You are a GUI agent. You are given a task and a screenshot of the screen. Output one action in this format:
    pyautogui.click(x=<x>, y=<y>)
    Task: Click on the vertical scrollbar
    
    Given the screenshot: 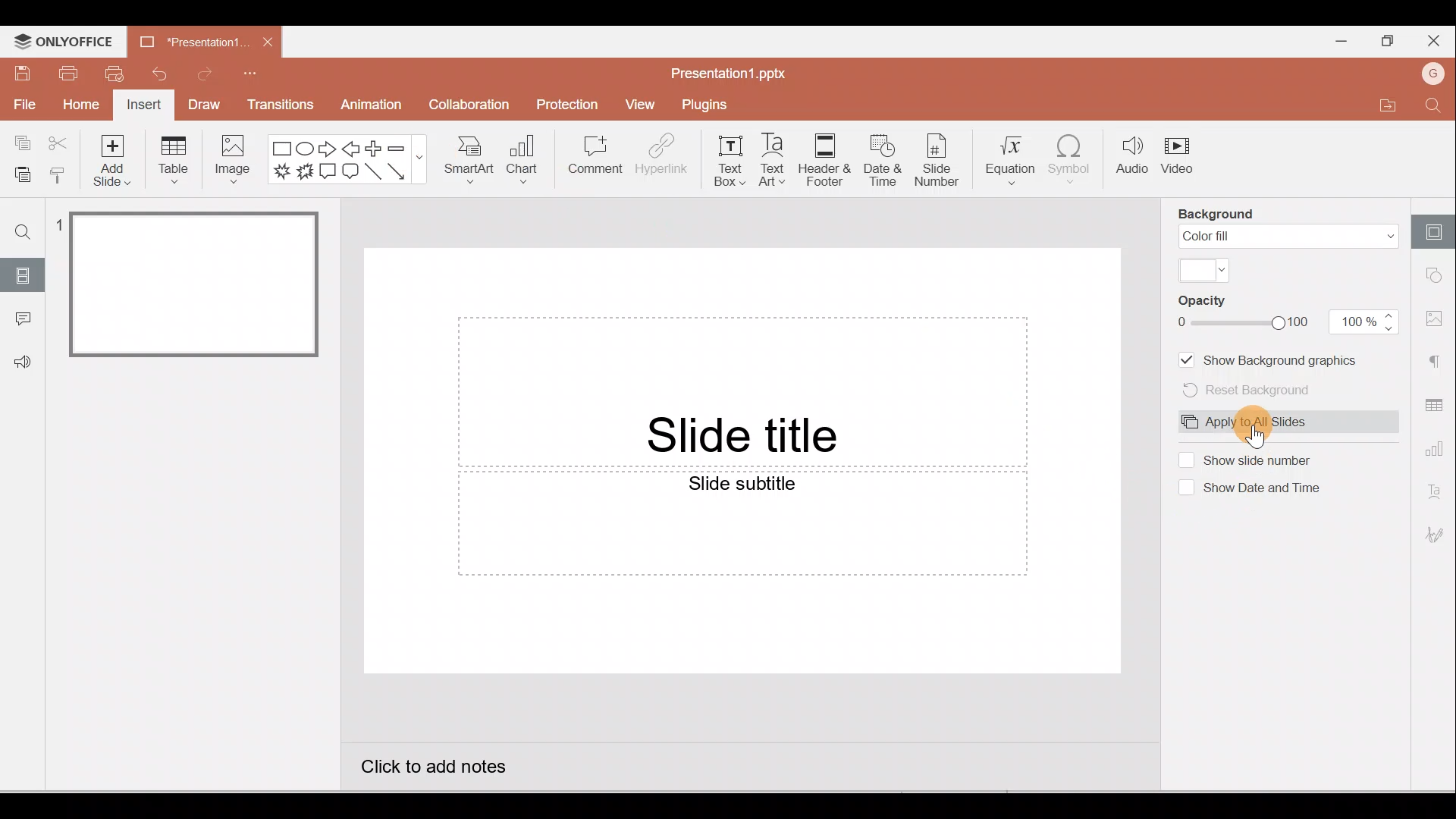 What is the action you would take?
    pyautogui.click(x=1151, y=488)
    